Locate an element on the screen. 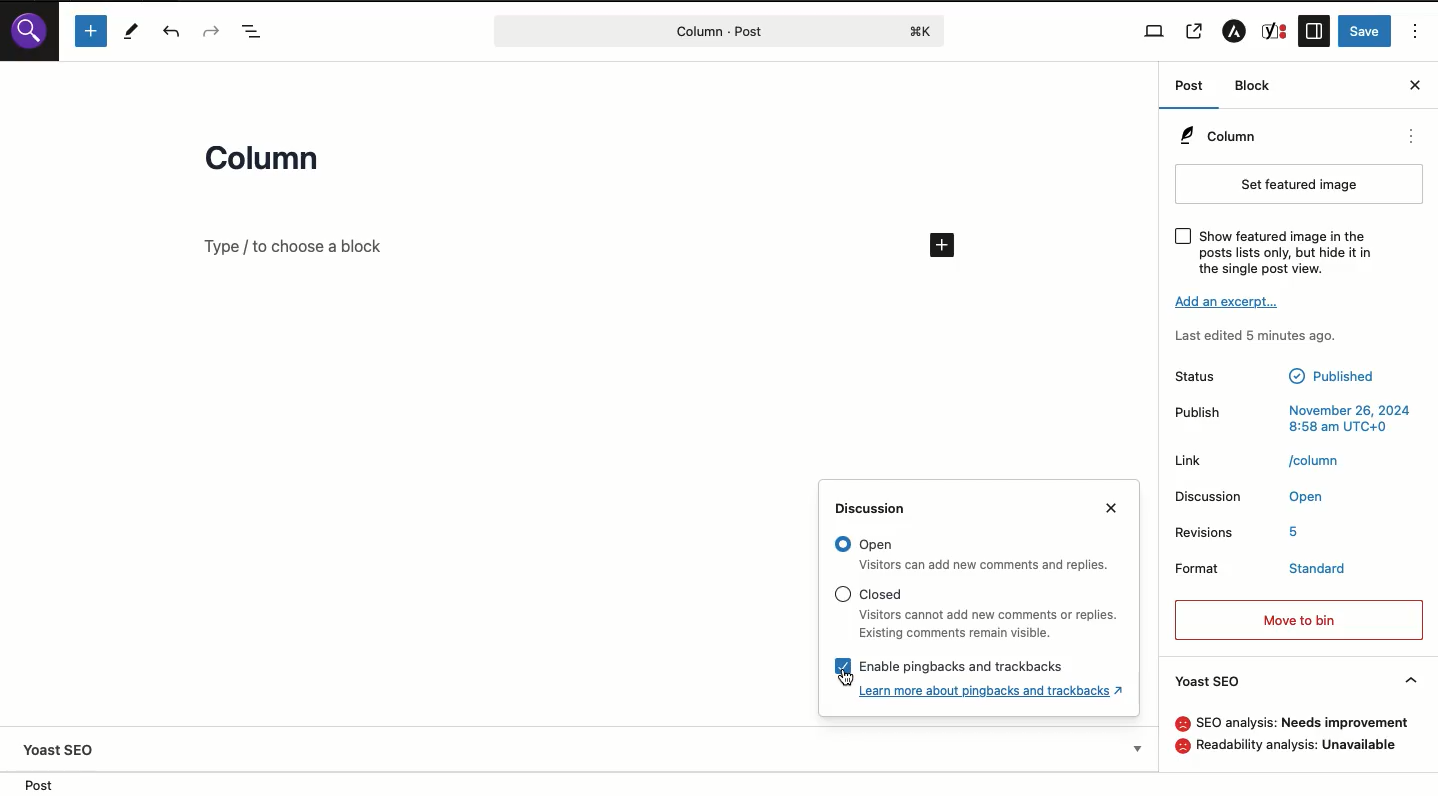  Comments only is located at coordinates (1339, 494).